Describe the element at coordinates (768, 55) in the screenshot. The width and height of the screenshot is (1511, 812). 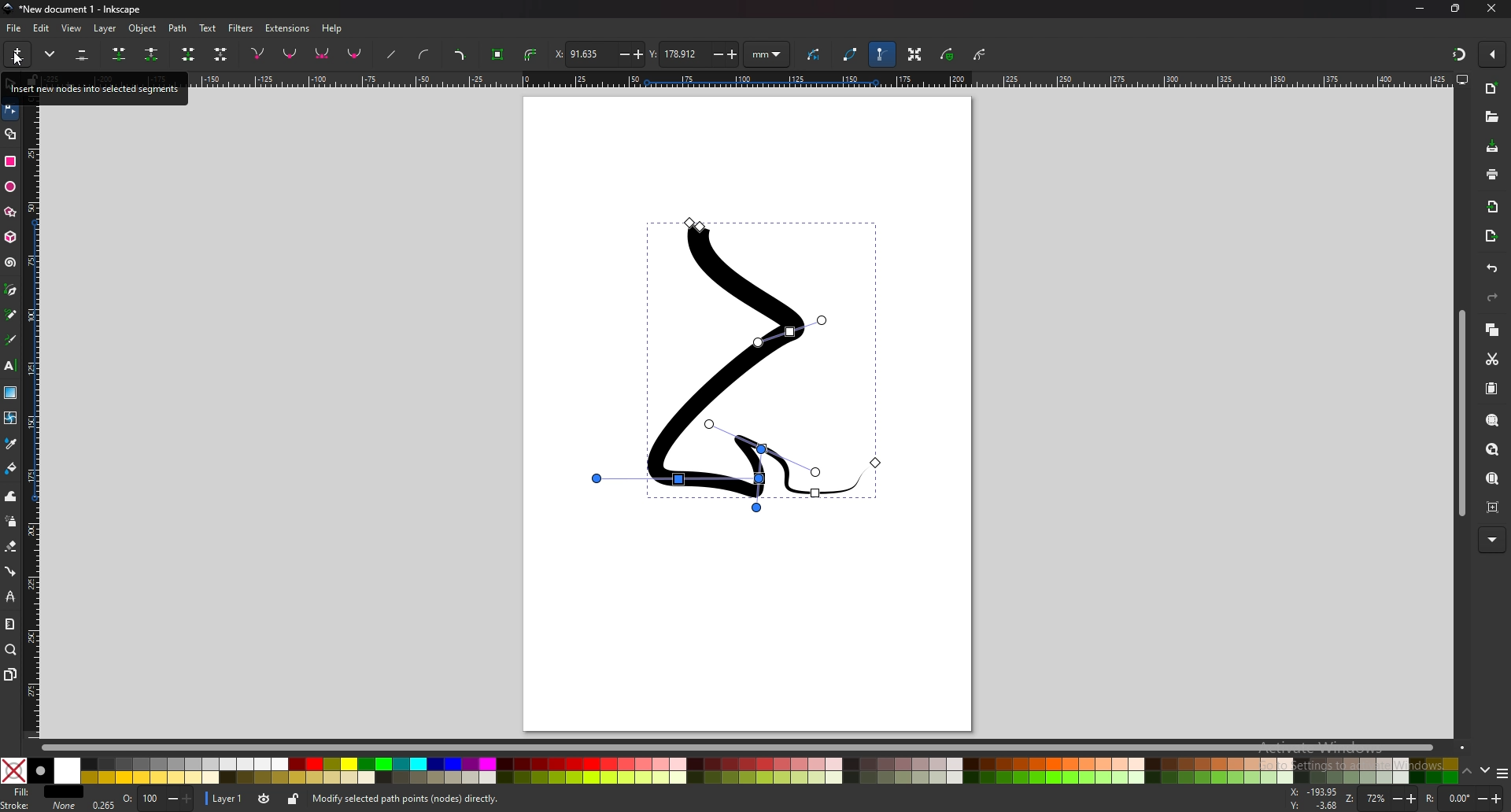
I see `units` at that location.